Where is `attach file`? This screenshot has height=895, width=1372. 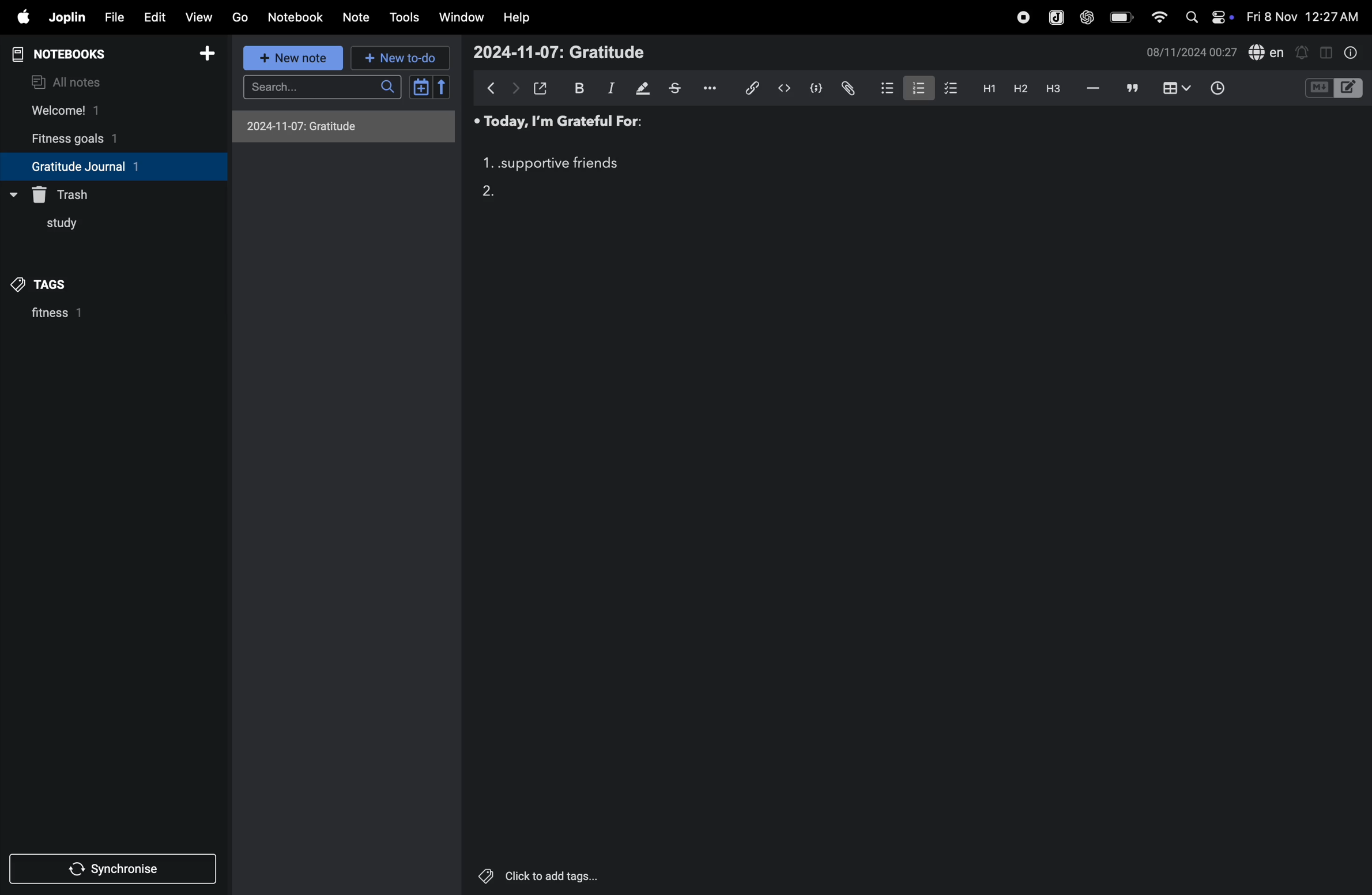 attach file is located at coordinates (847, 88).